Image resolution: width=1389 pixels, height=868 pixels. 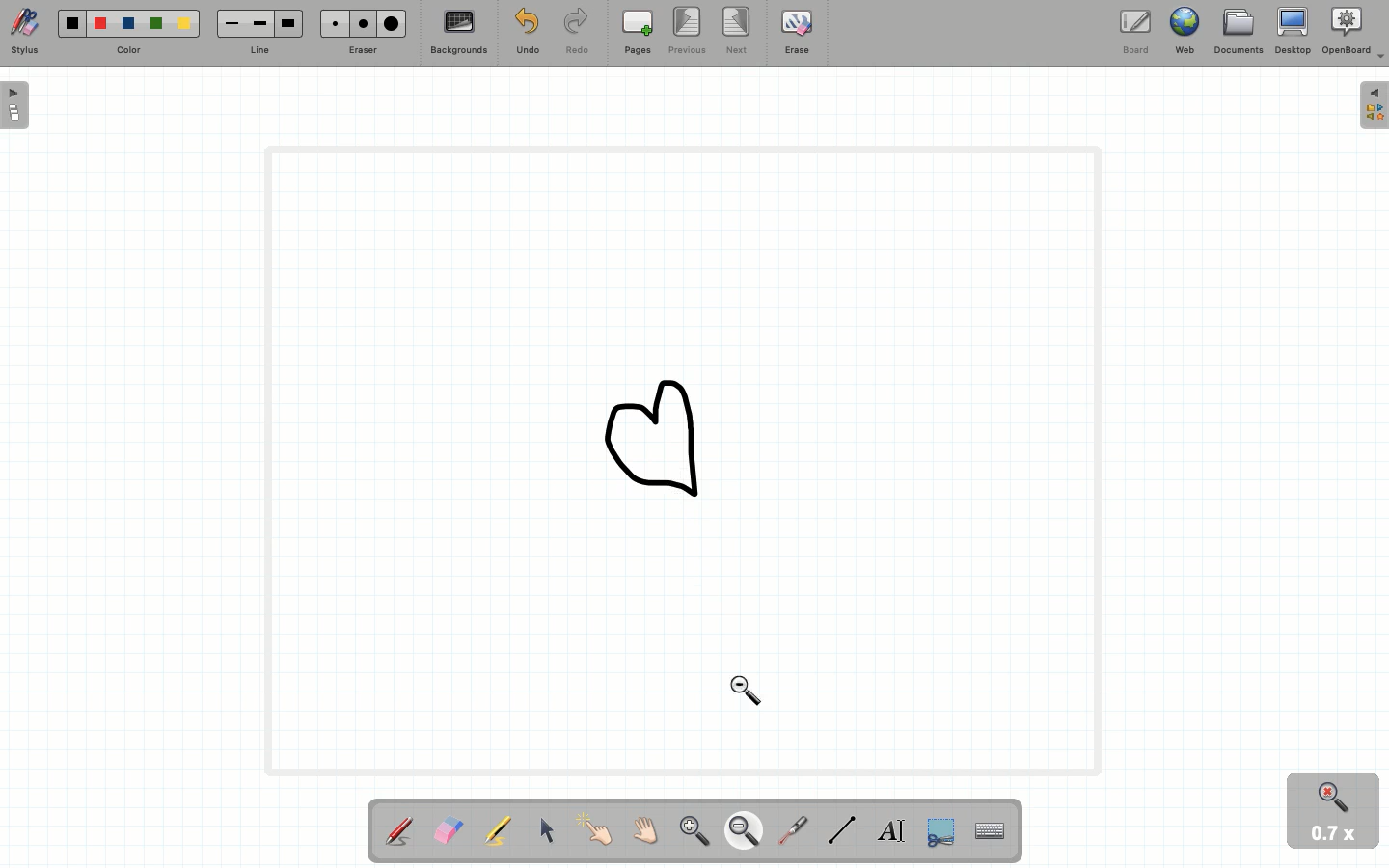 I want to click on Stylus, so click(x=398, y=830).